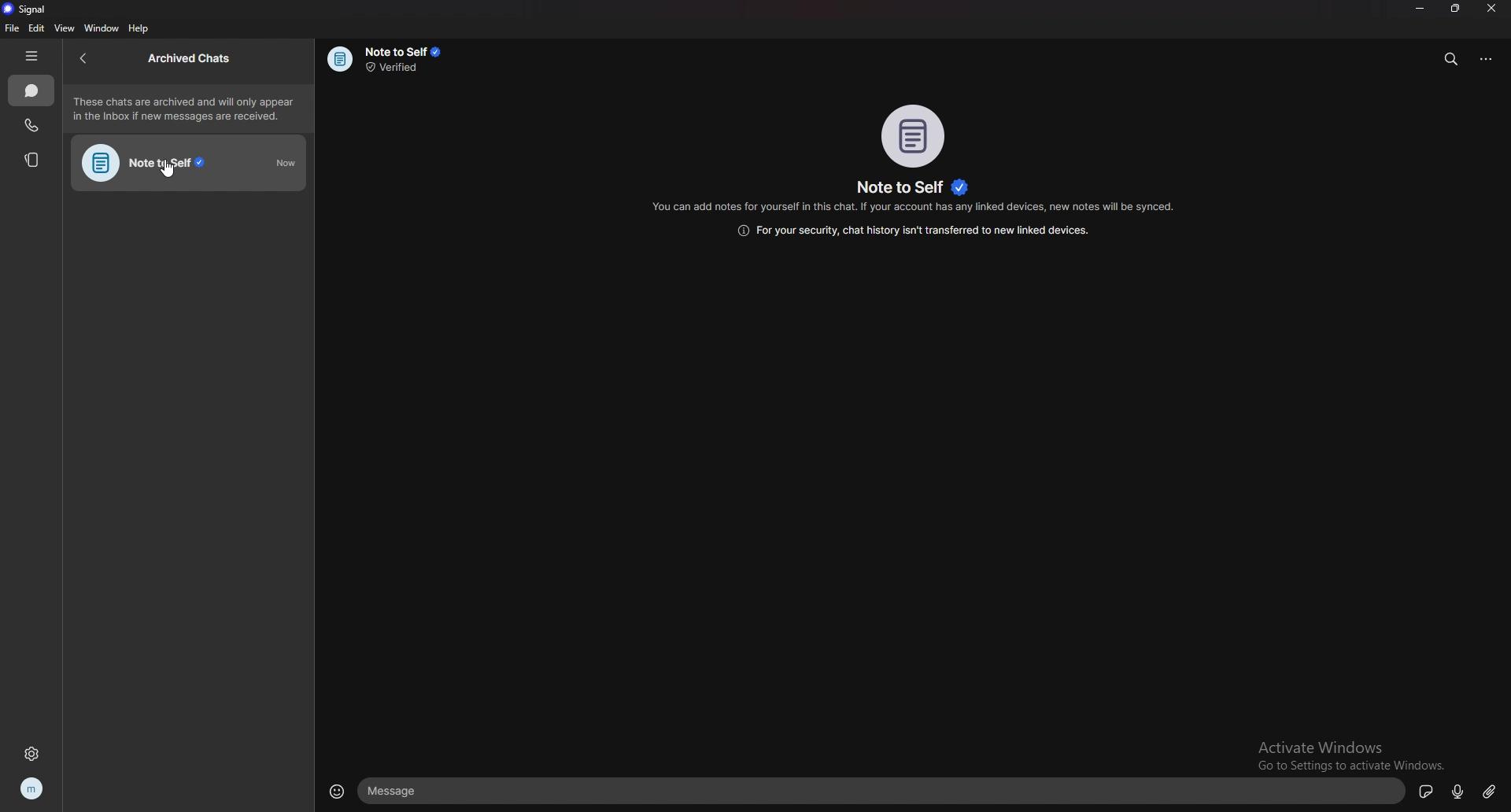 This screenshot has height=812, width=1511. I want to click on archived chats, so click(193, 59).